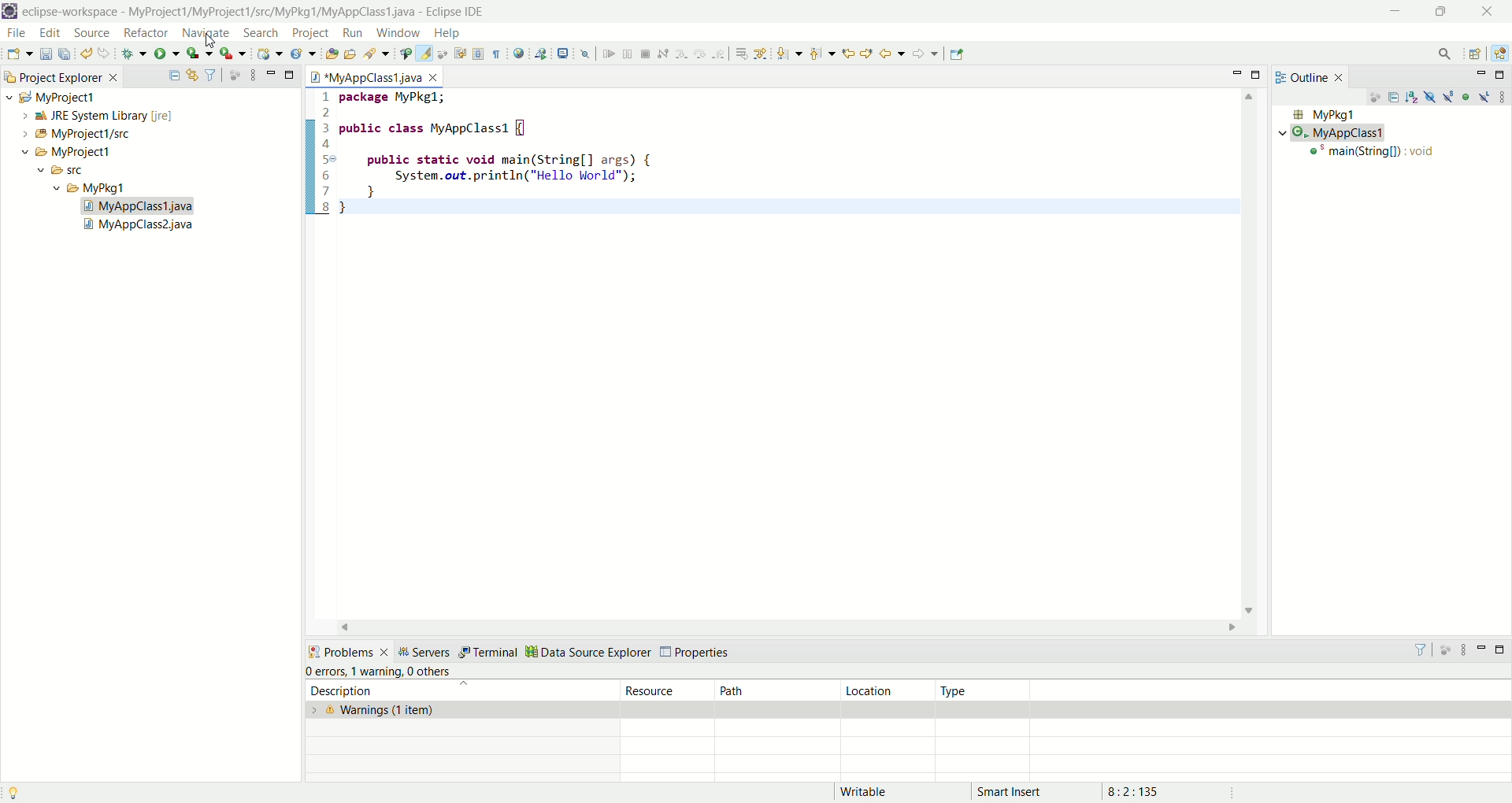 The height and width of the screenshot is (803, 1512). I want to click on create a new Java servlet, so click(302, 55).